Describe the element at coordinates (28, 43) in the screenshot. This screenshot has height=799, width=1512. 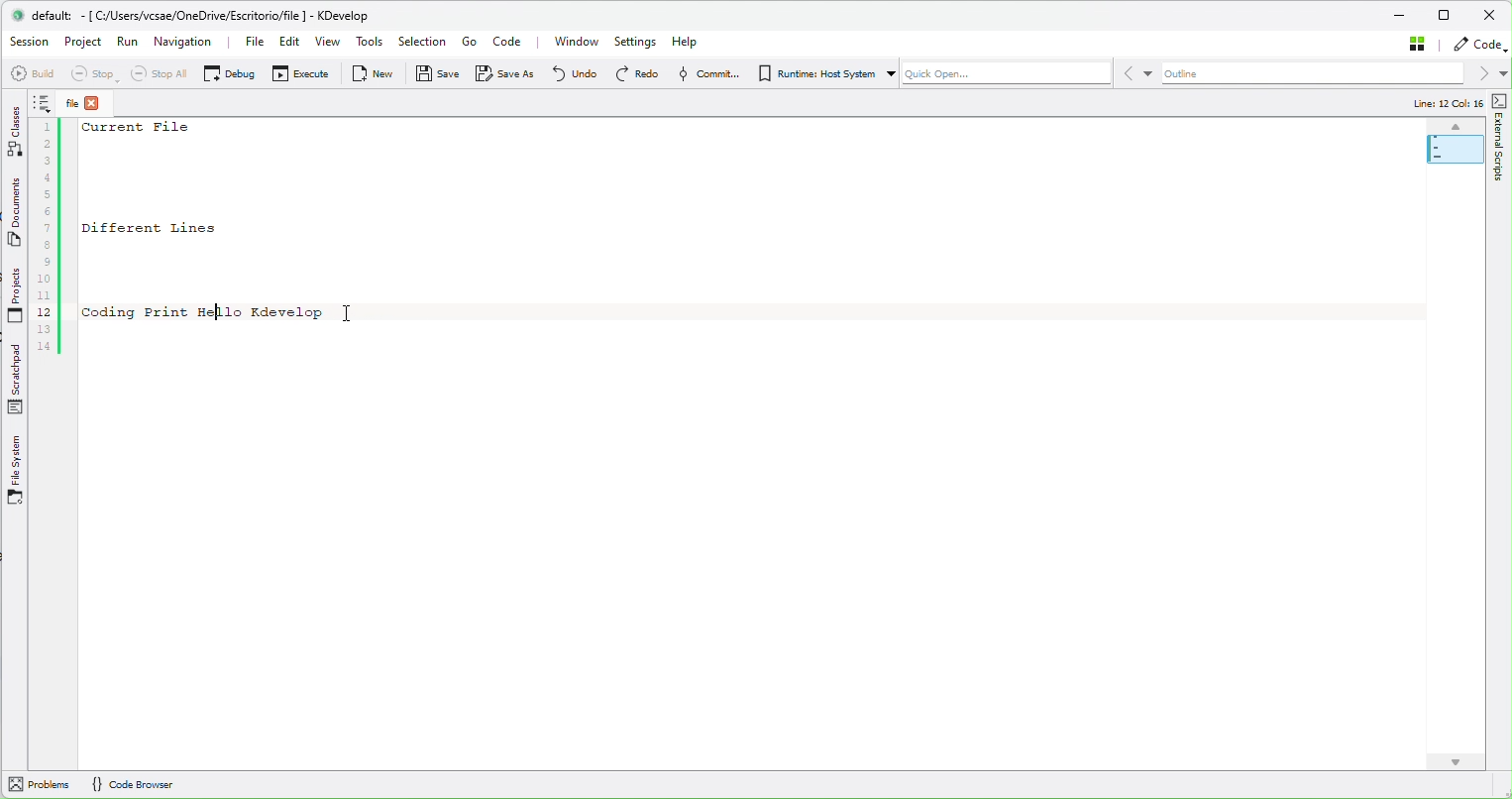
I see `Session` at that location.